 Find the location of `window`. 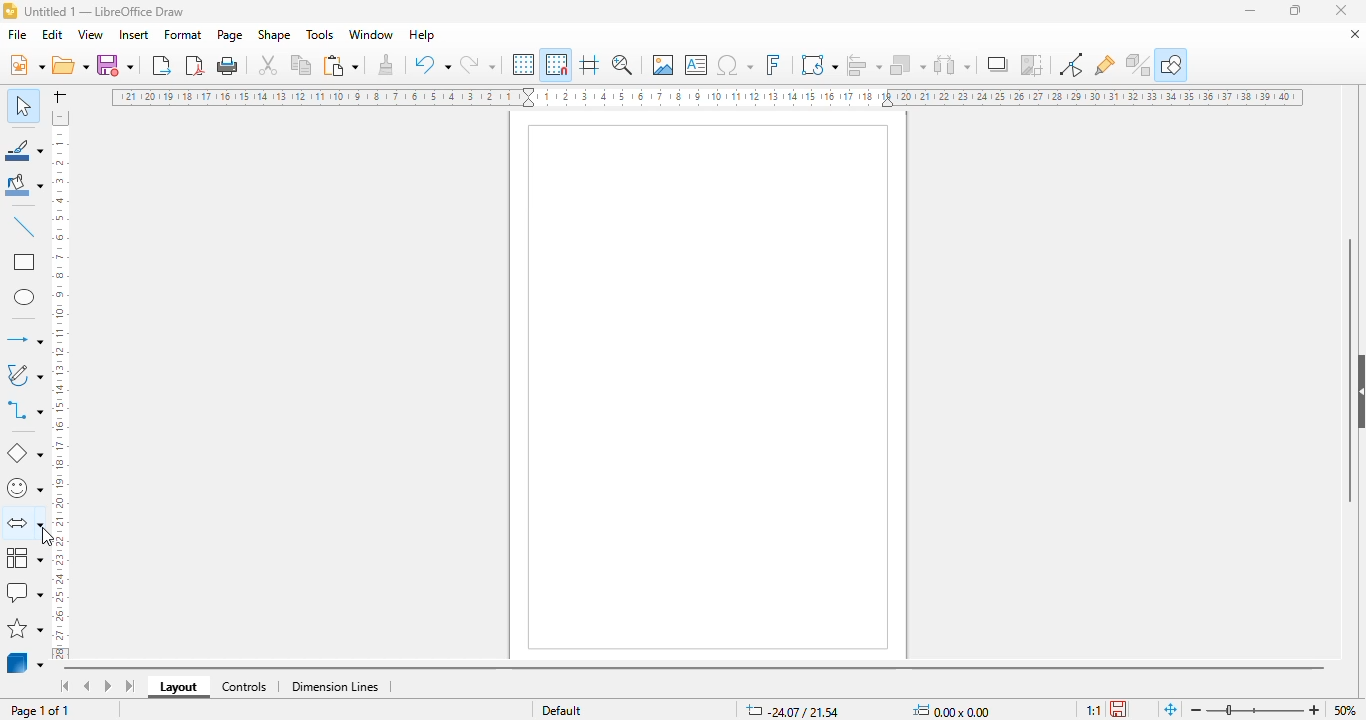

window is located at coordinates (371, 35).